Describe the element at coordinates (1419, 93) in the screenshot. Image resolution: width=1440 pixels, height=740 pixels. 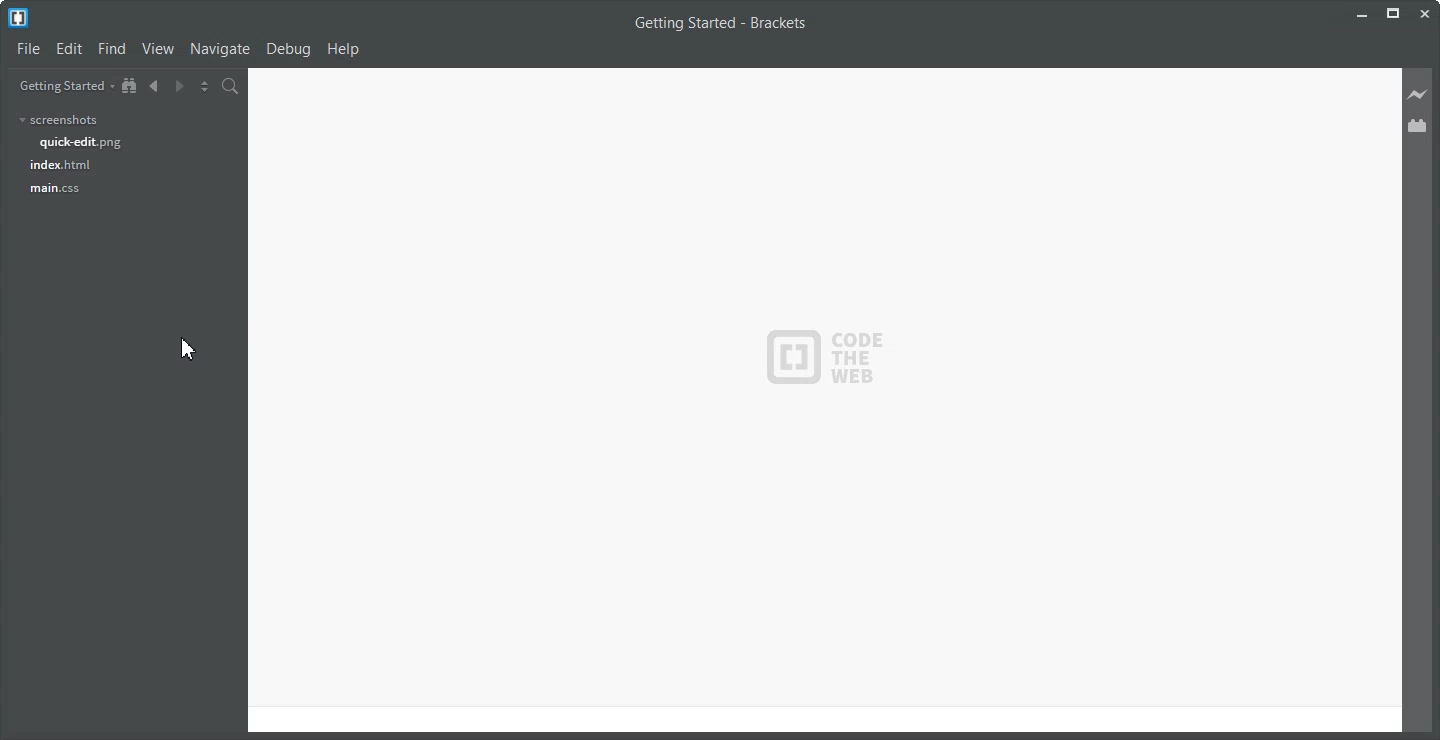
I see `Live Preview` at that location.